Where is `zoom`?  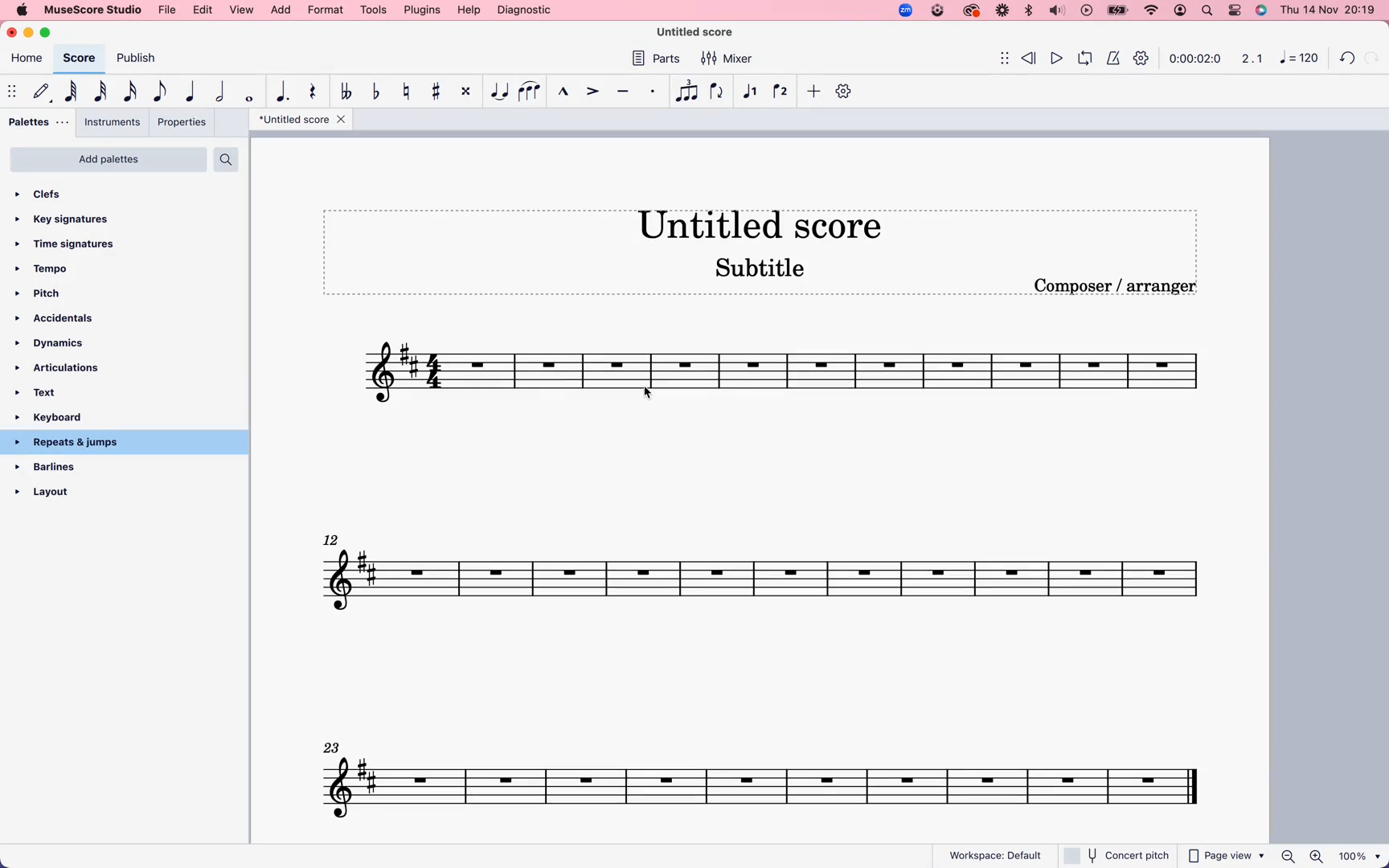
zoom is located at coordinates (904, 10).